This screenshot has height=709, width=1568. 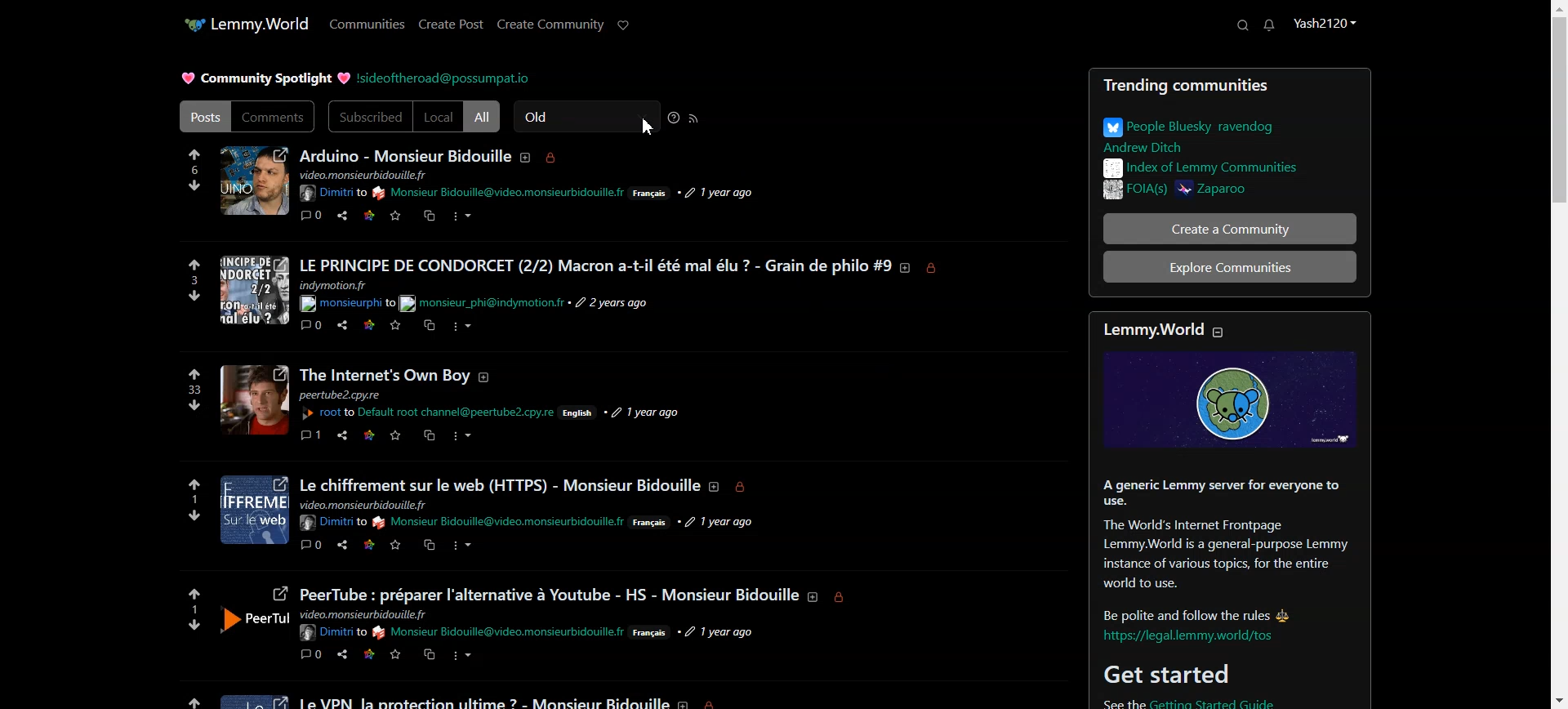 What do you see at coordinates (348, 304) in the screenshot?
I see `monsieurphi to [I monsieur_phi@indymotion.fr` at bounding box center [348, 304].